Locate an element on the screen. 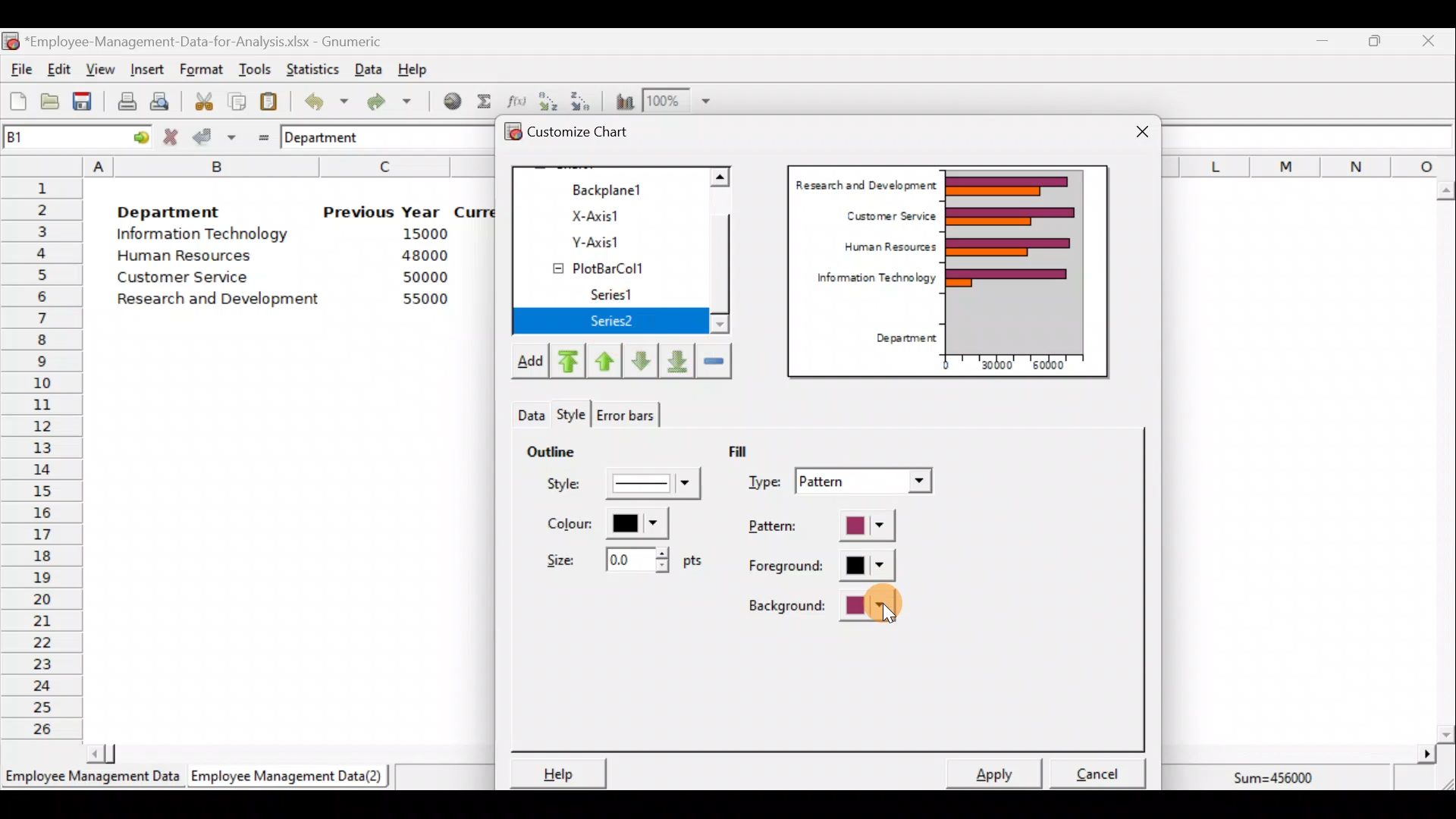  Cut the selection is located at coordinates (199, 99).